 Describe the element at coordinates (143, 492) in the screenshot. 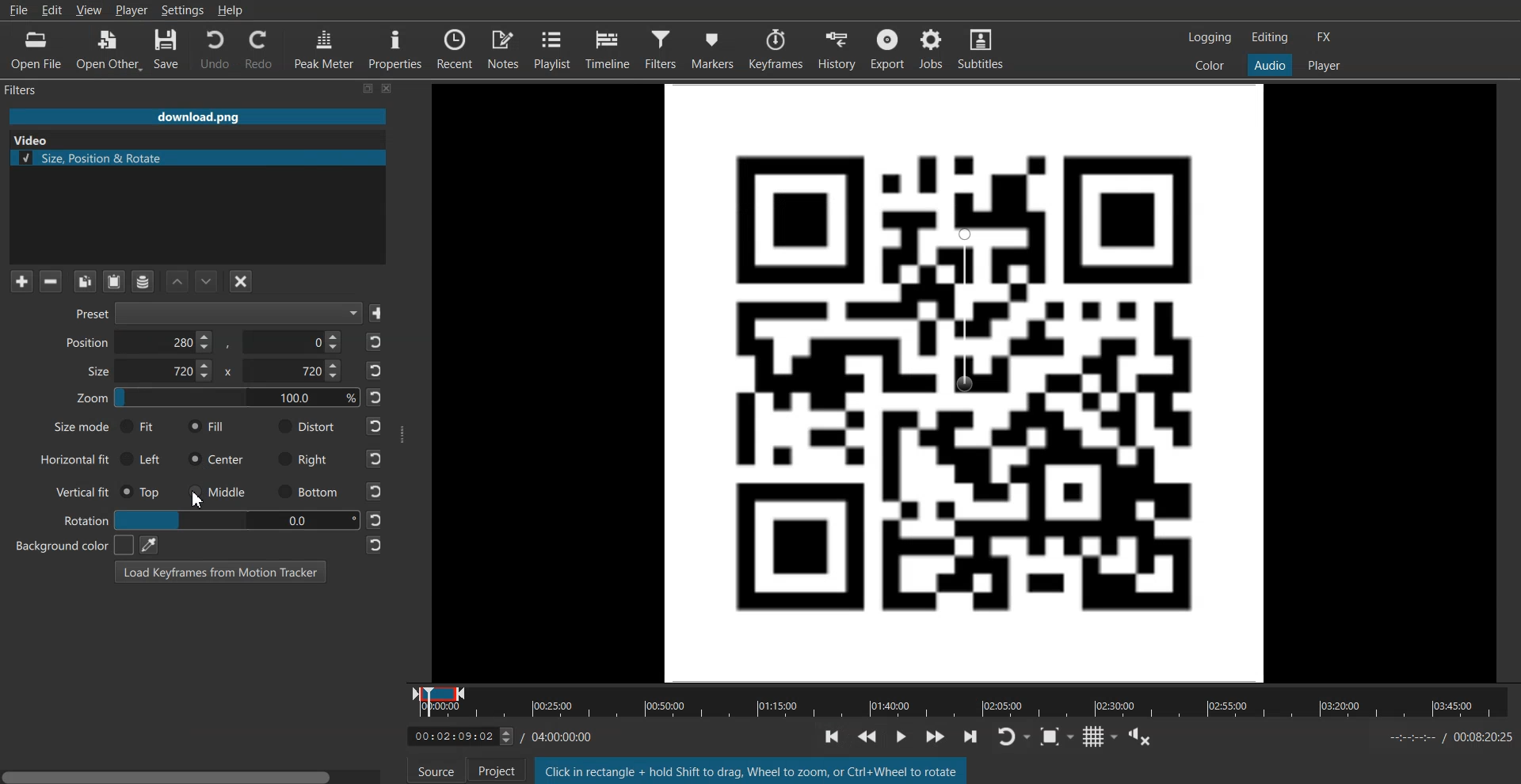

I see `Top` at that location.